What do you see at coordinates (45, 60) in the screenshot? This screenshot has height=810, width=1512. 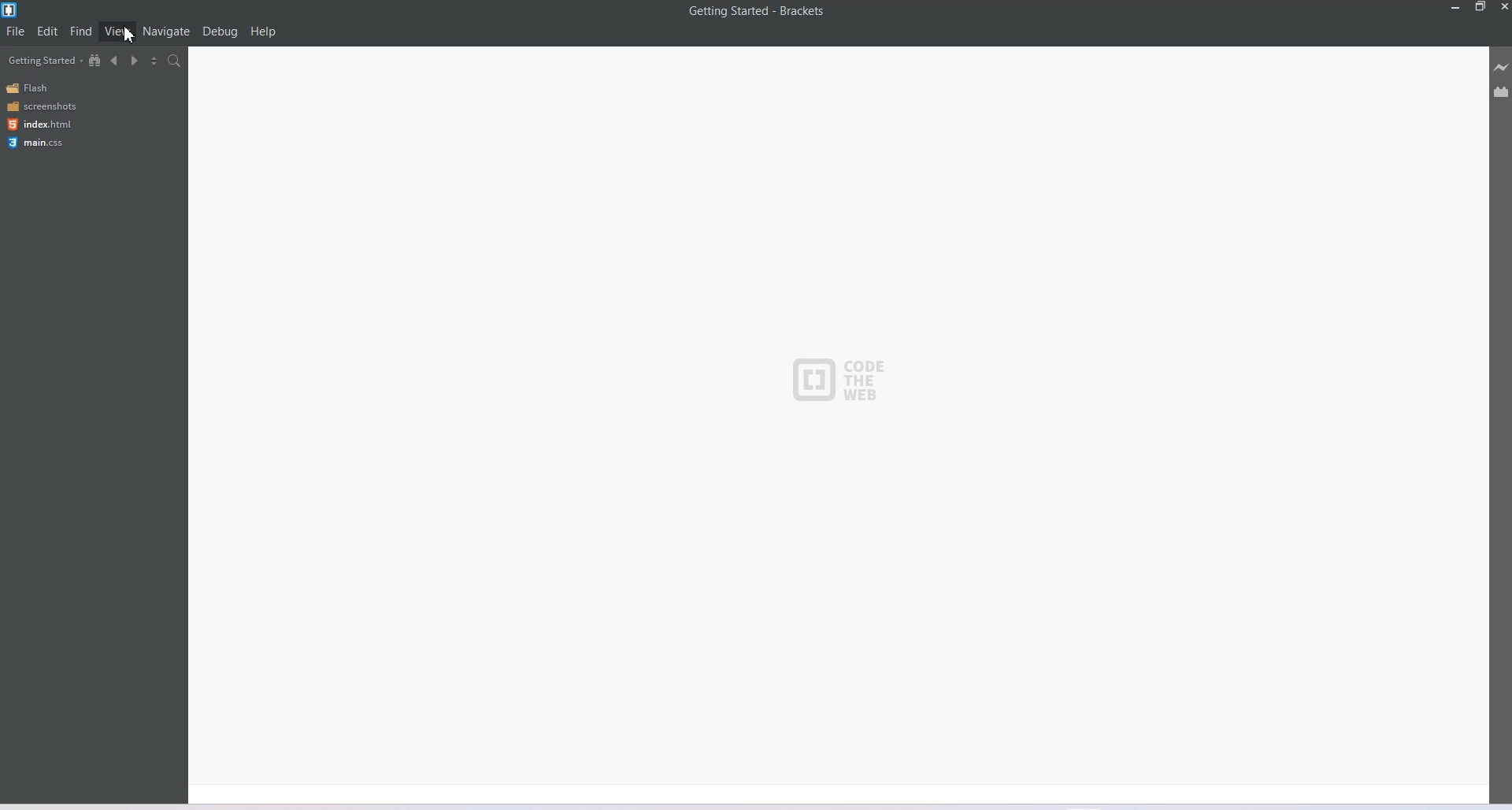 I see `Getting Started` at bounding box center [45, 60].